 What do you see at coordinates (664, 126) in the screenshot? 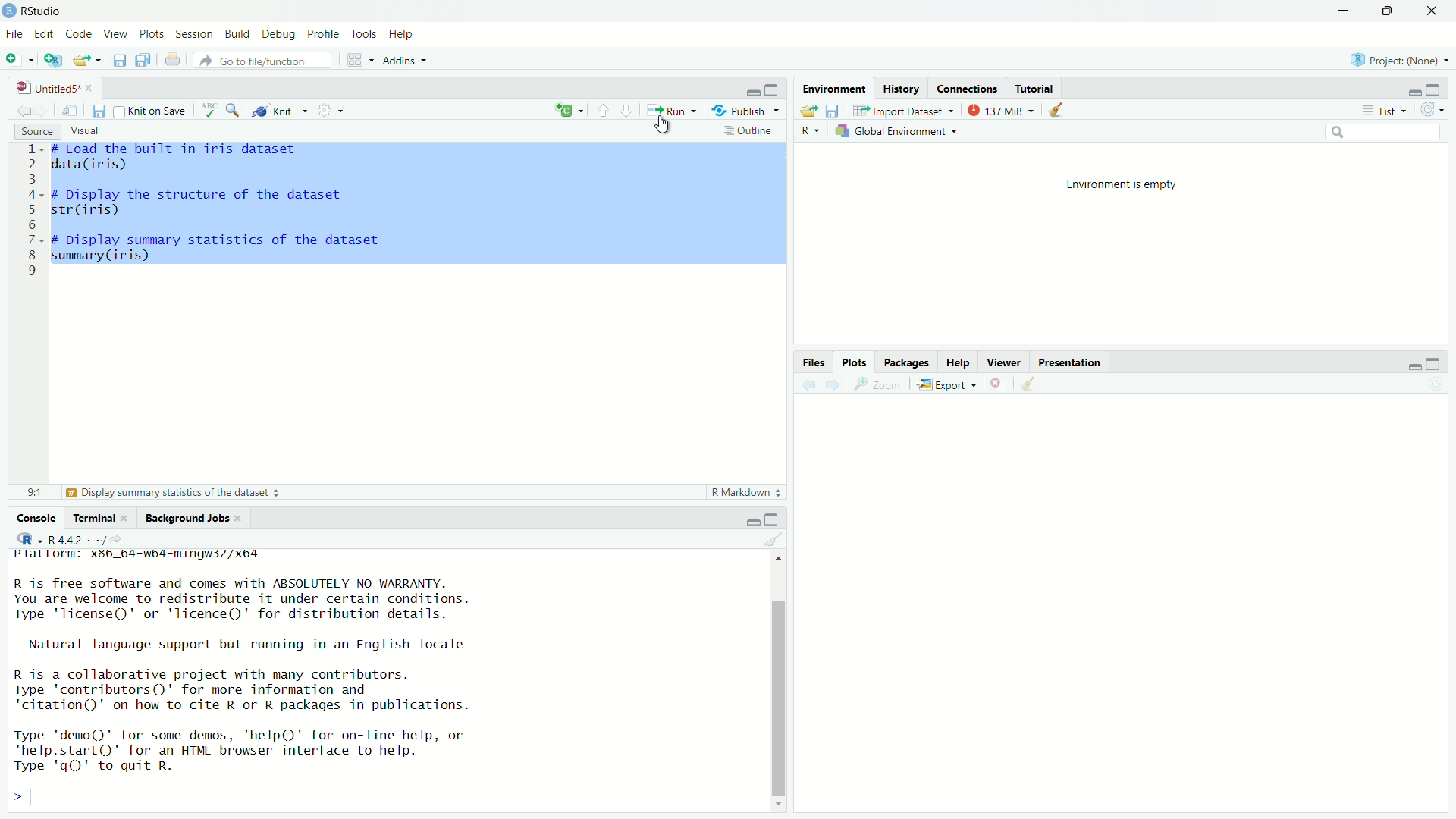
I see `Cursor` at bounding box center [664, 126].